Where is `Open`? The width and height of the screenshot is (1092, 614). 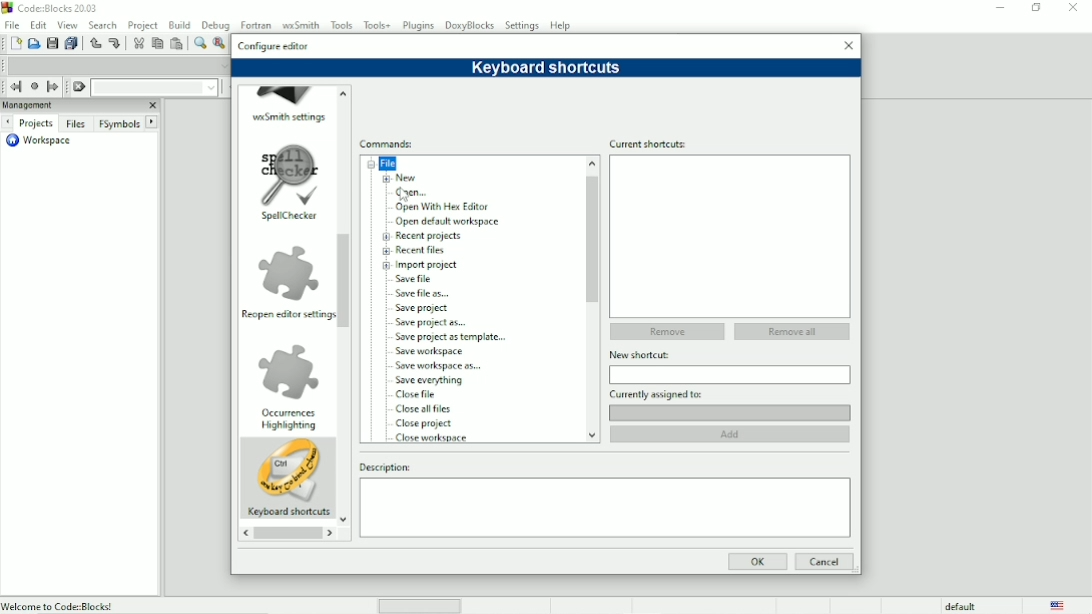
Open is located at coordinates (414, 194).